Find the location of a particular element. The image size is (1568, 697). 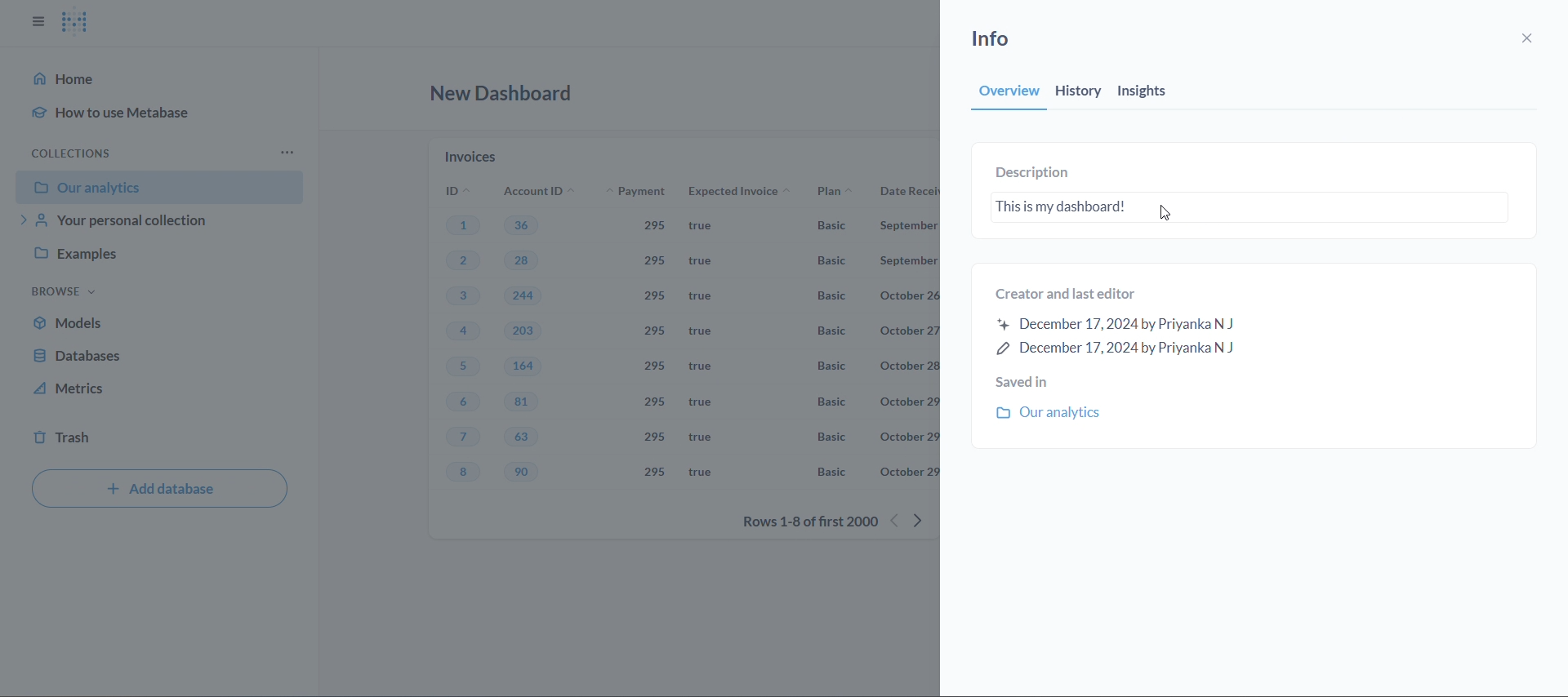

September is located at coordinates (910, 260).